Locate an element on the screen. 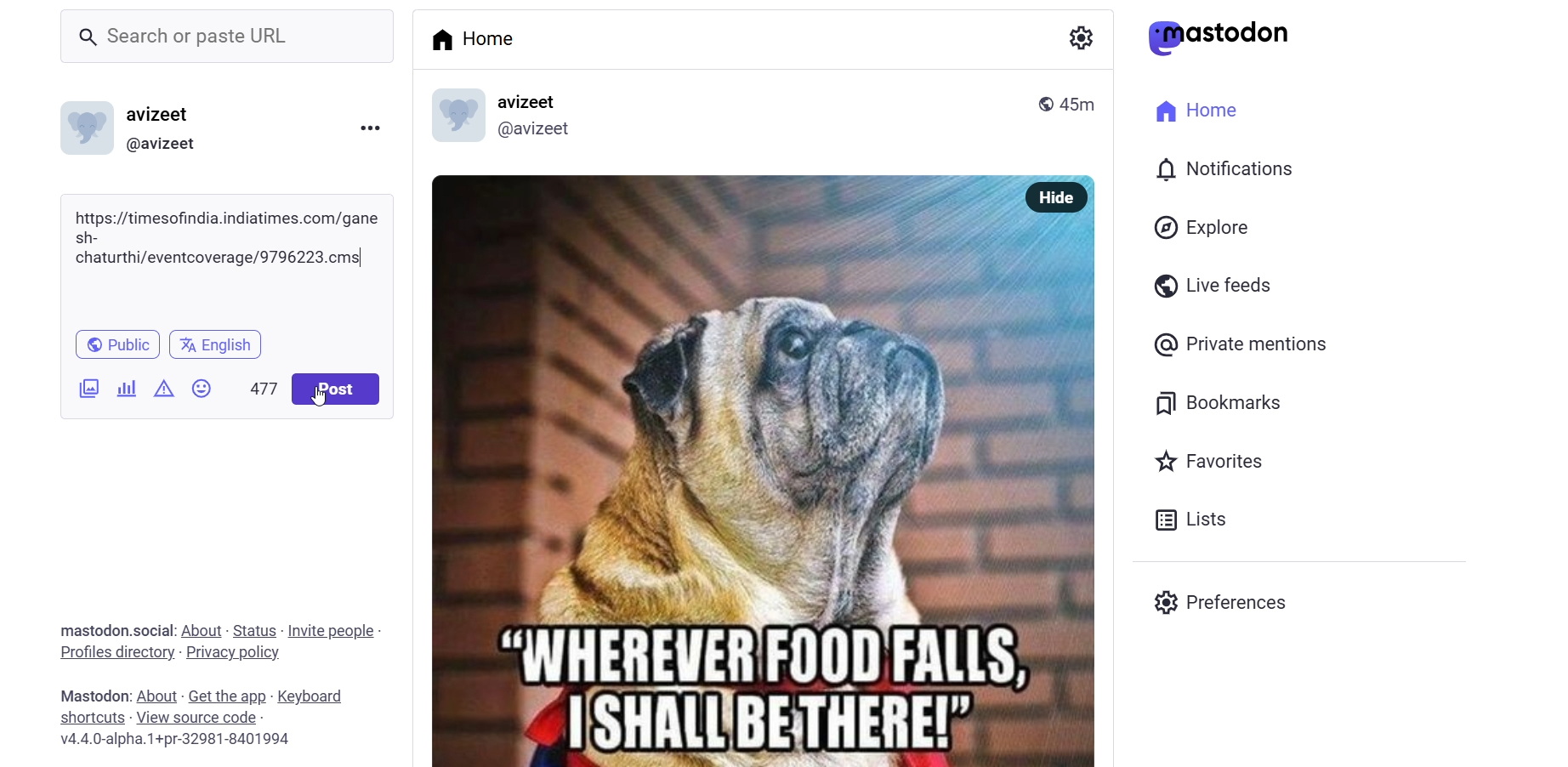 Image resolution: width=1568 pixels, height=767 pixels. I 0) Notifications is located at coordinates (1241, 168).